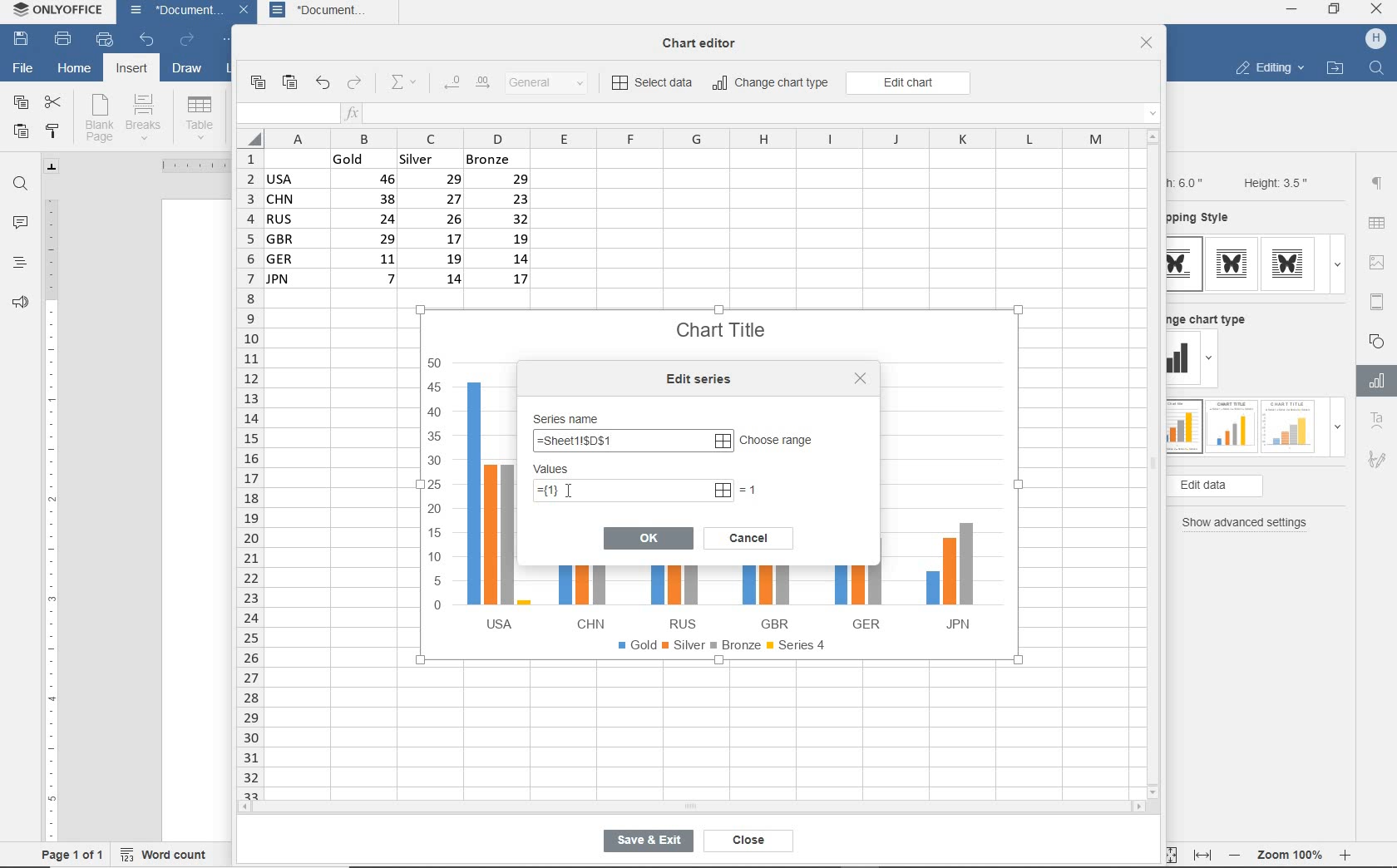  I want to click on header & footer, so click(1376, 301).